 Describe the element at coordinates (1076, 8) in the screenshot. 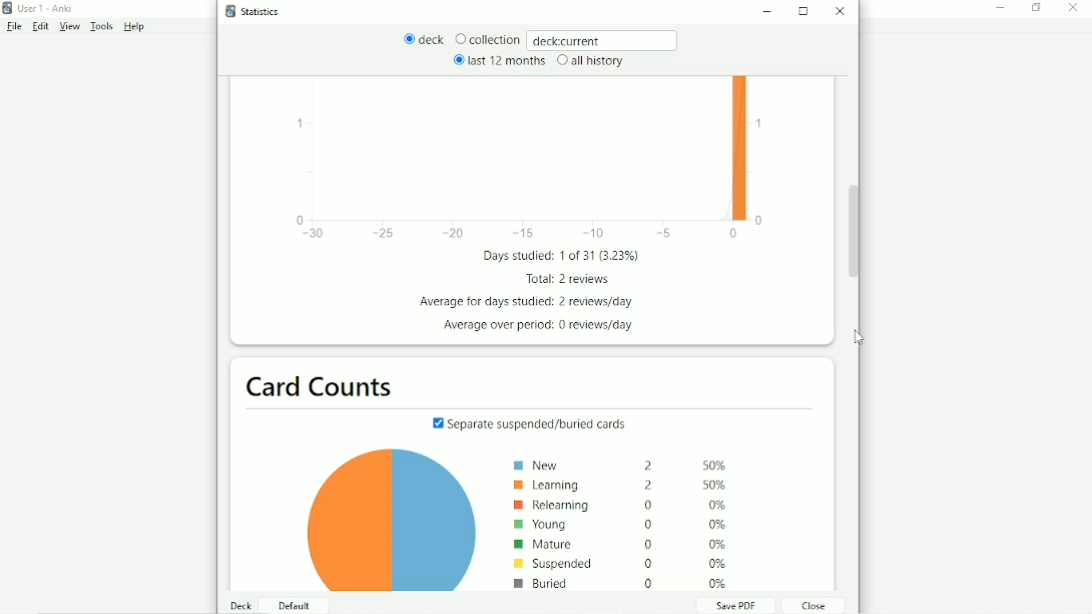

I see `Close` at that location.